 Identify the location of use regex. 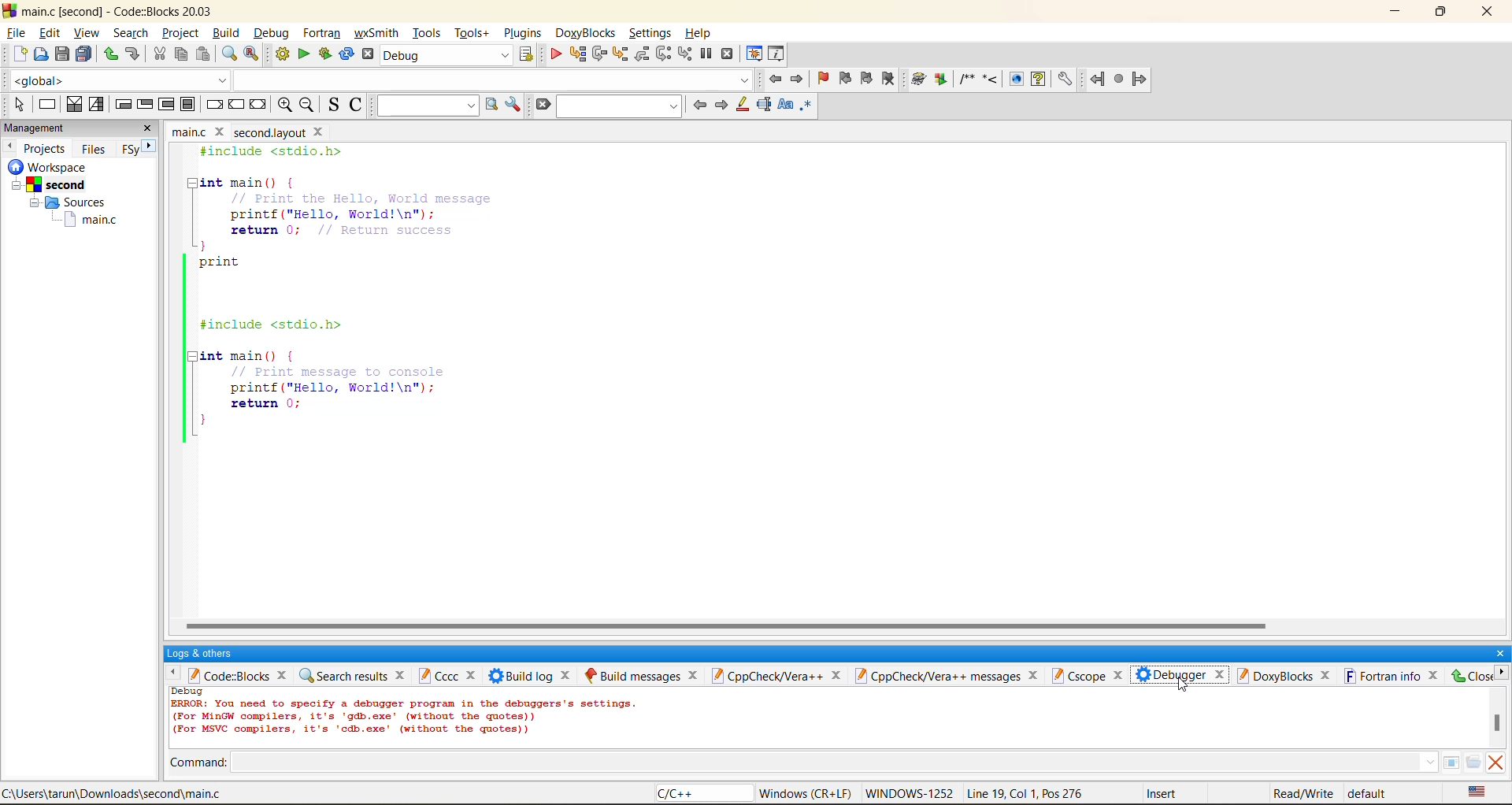
(807, 108).